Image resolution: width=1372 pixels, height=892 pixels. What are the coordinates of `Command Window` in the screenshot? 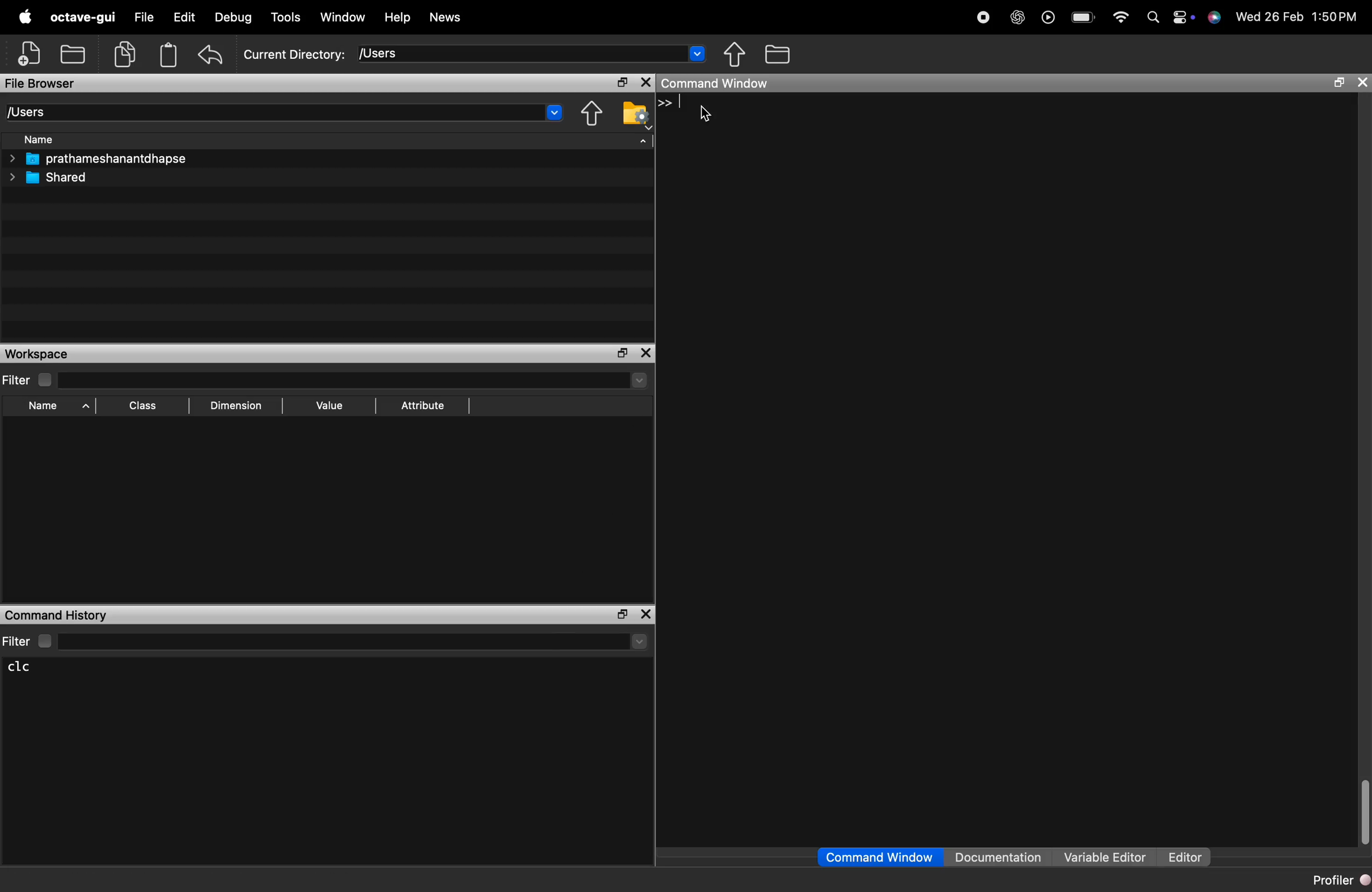 It's located at (879, 857).